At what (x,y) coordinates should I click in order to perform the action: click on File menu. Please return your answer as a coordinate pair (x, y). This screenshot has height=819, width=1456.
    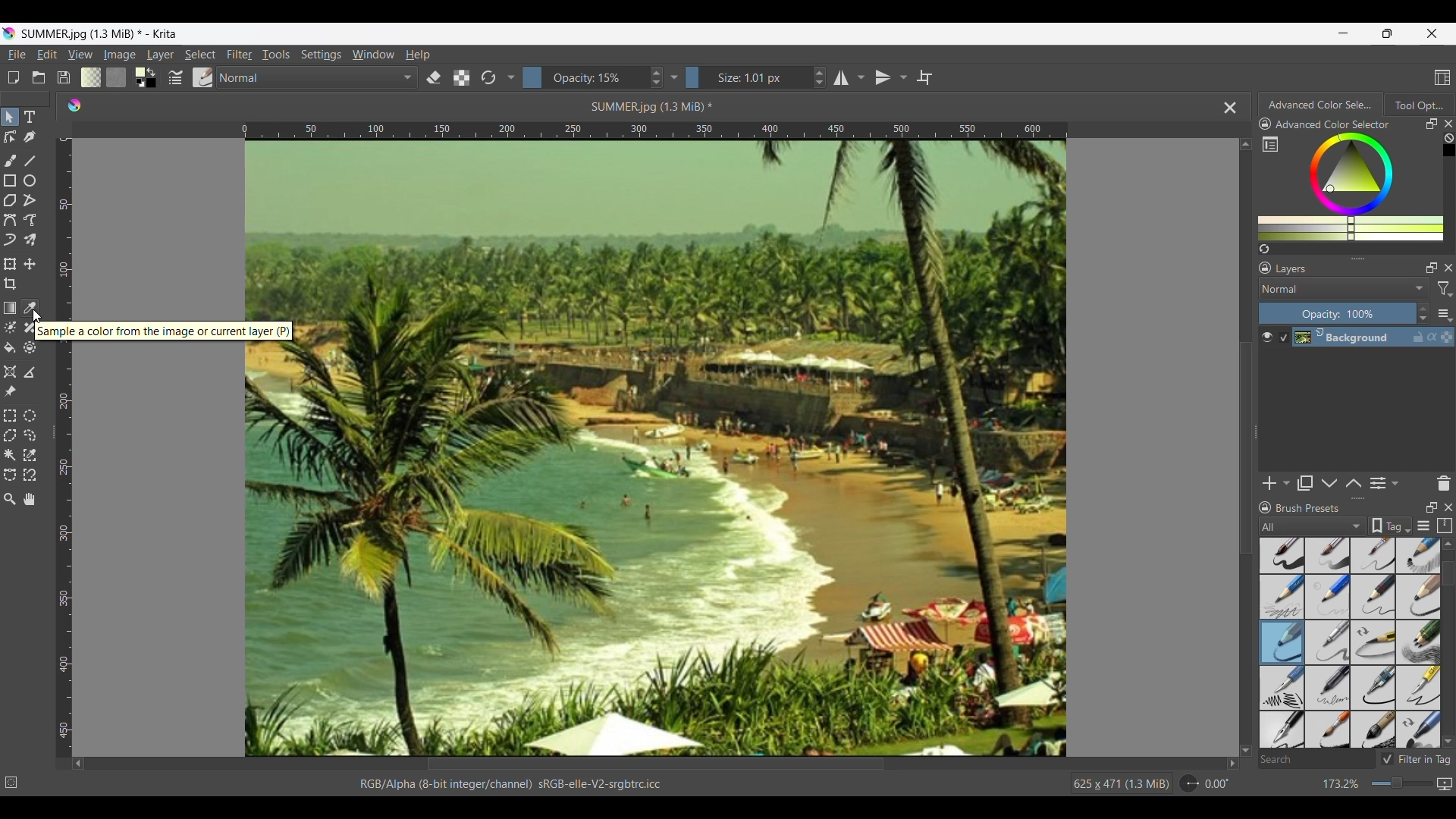
    Looking at the image, I should click on (17, 55).